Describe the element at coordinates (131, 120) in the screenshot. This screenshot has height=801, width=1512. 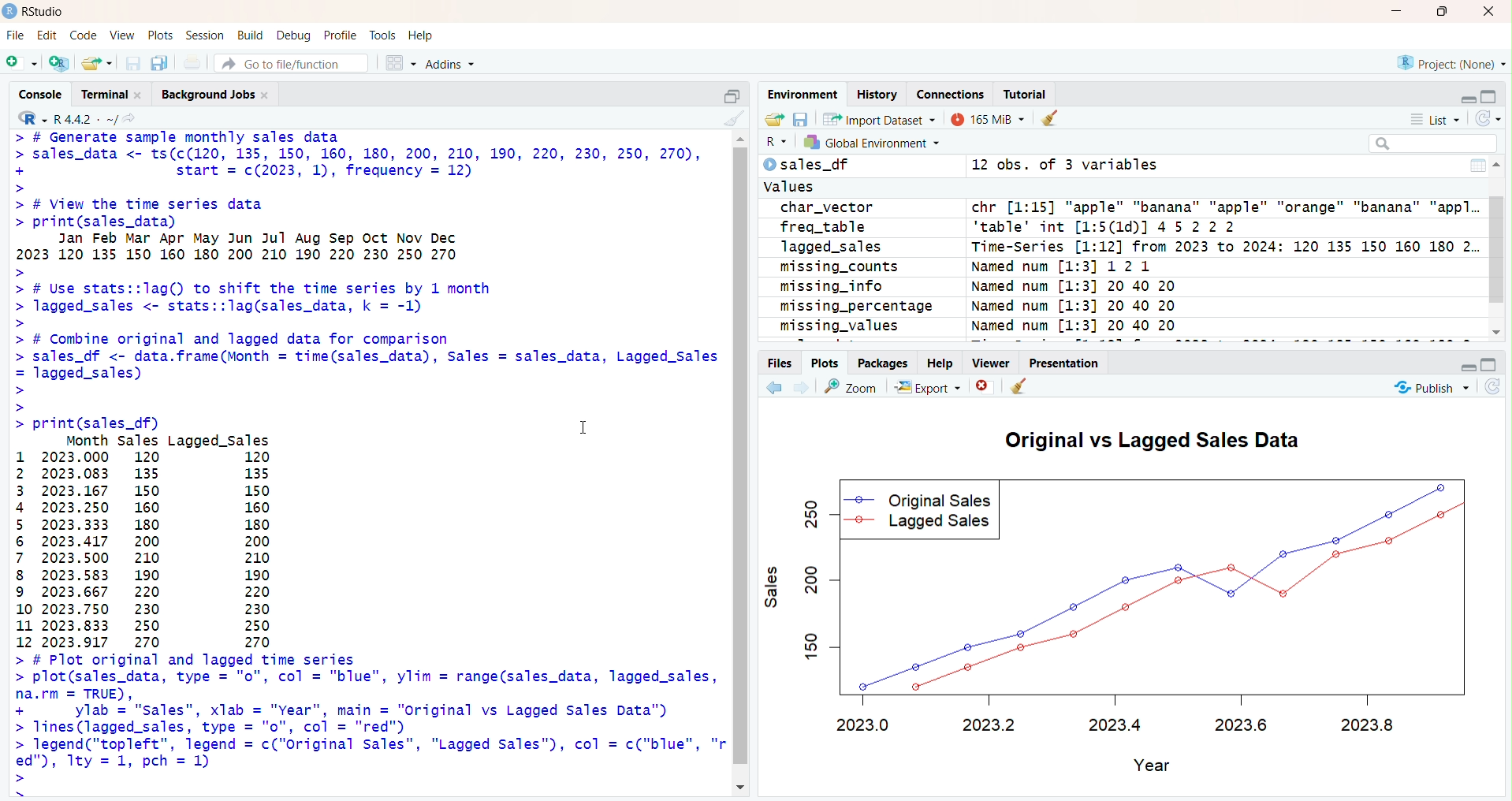
I see `view the current working directory` at that location.